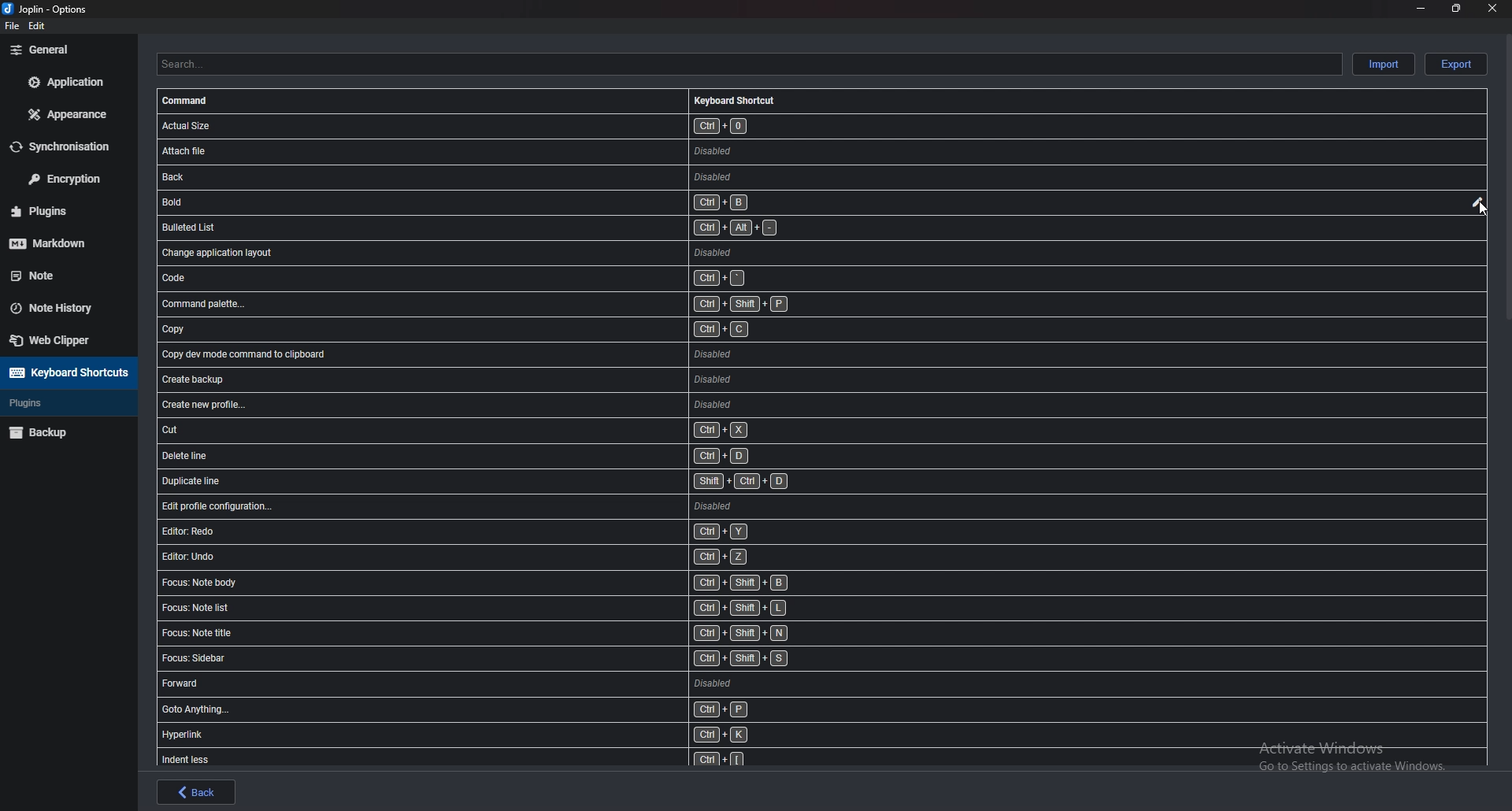  Describe the element at coordinates (61, 243) in the screenshot. I see `markdown` at that location.